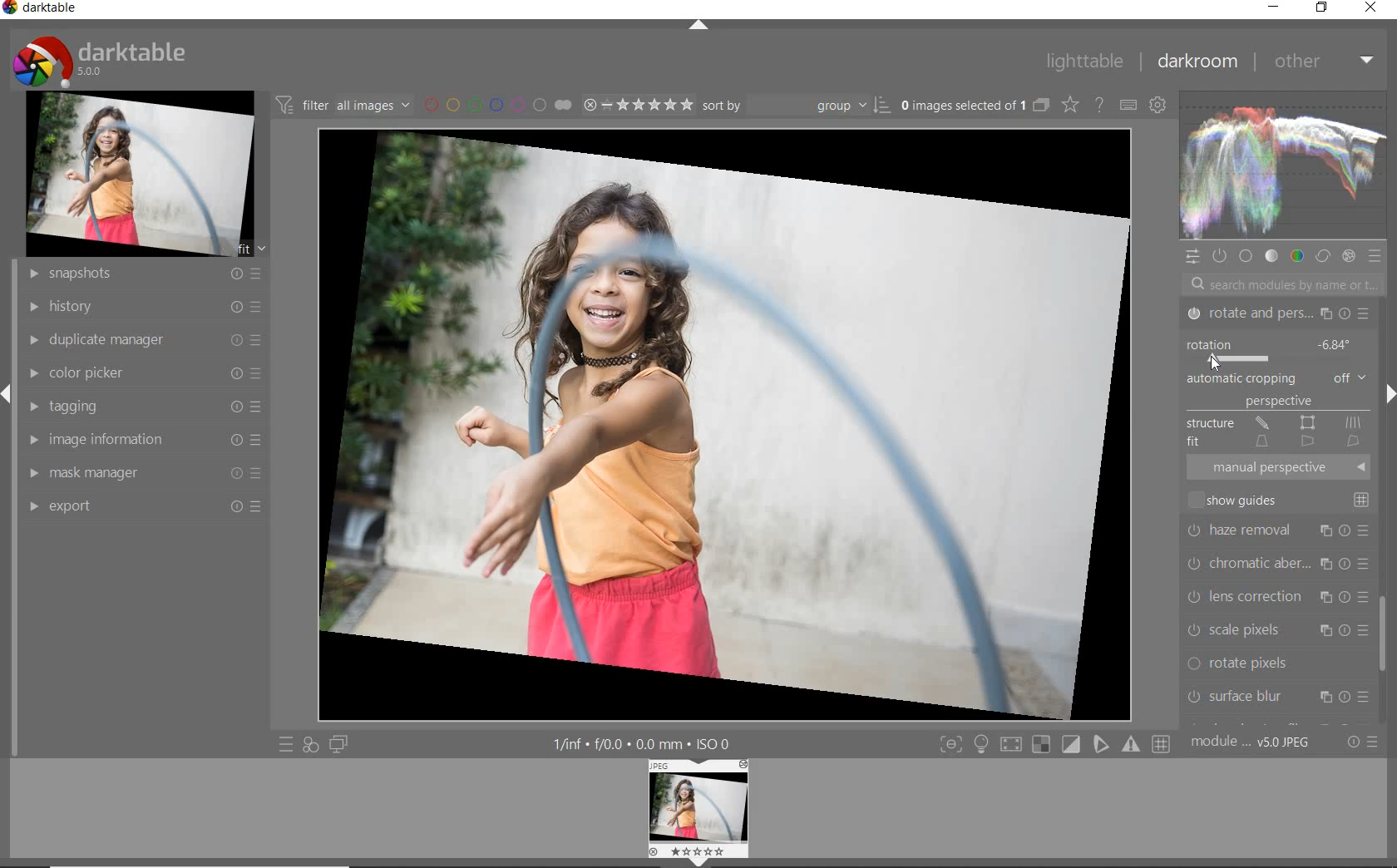 This screenshot has width=1397, height=868. What do you see at coordinates (497, 104) in the screenshot?
I see `filter by image color label` at bounding box center [497, 104].